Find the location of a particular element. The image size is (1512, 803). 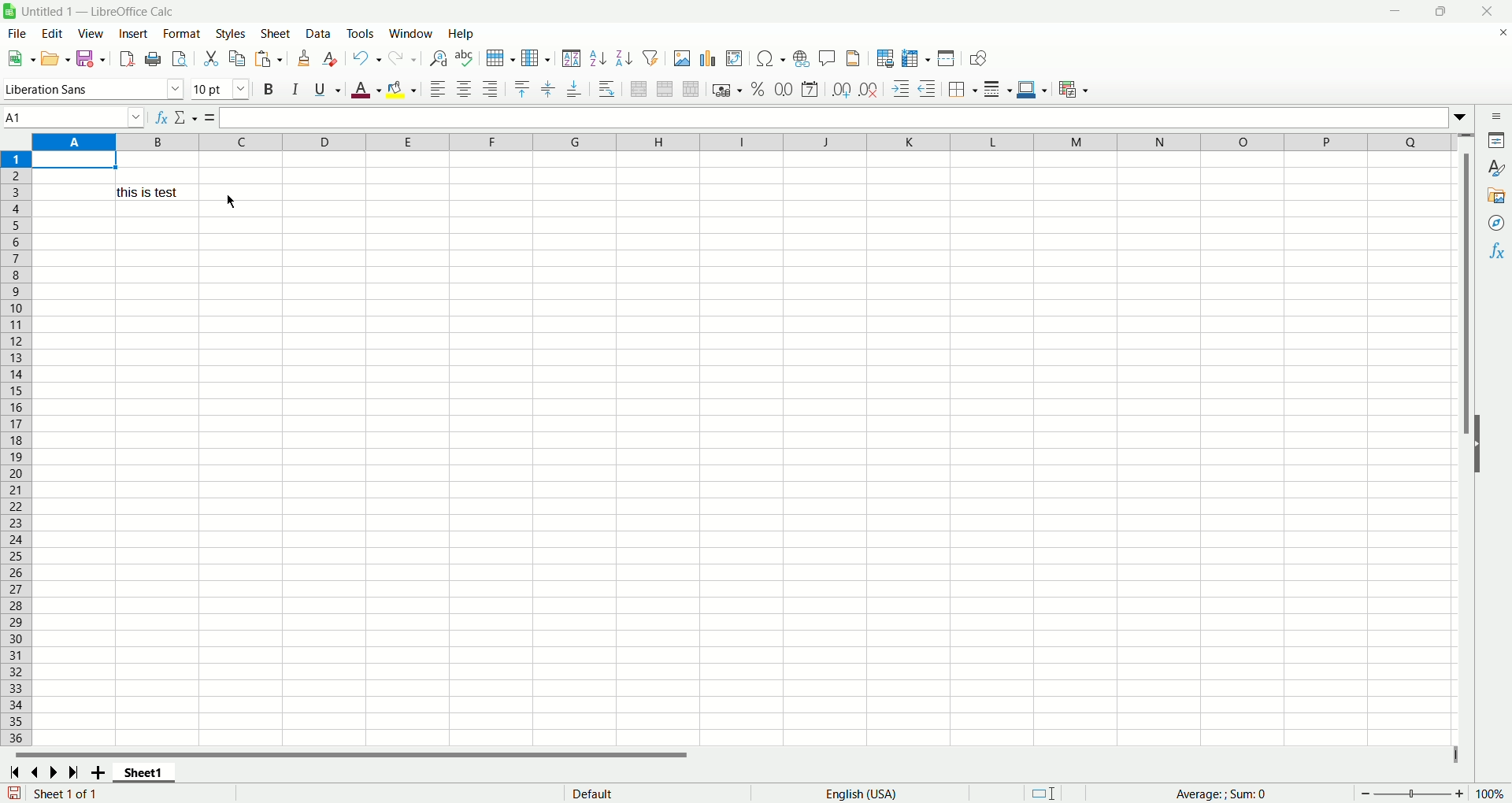

Expand fuction bar is located at coordinates (1462, 120).